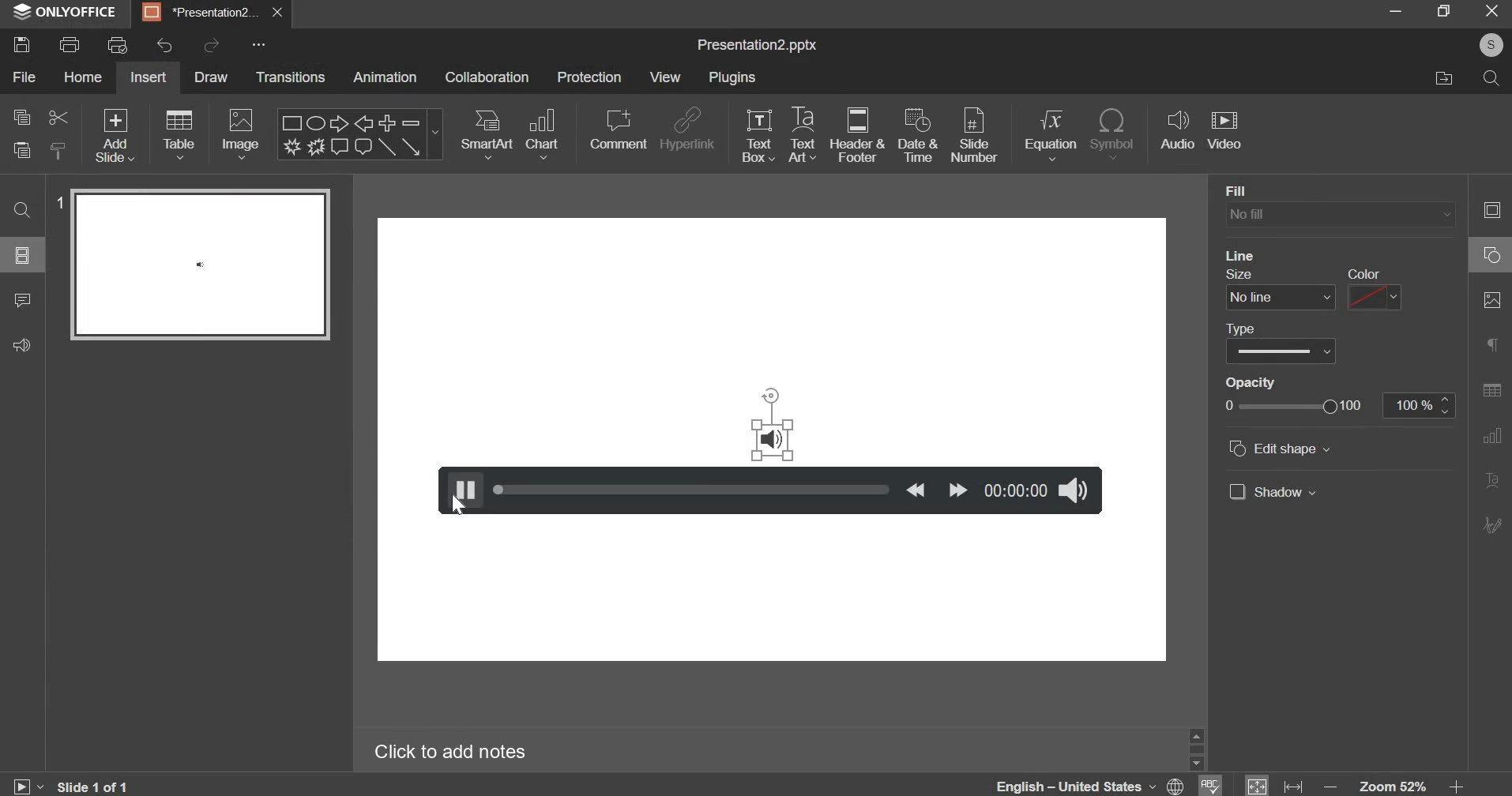 The height and width of the screenshot is (796, 1512). What do you see at coordinates (1376, 297) in the screenshot?
I see `line color` at bounding box center [1376, 297].